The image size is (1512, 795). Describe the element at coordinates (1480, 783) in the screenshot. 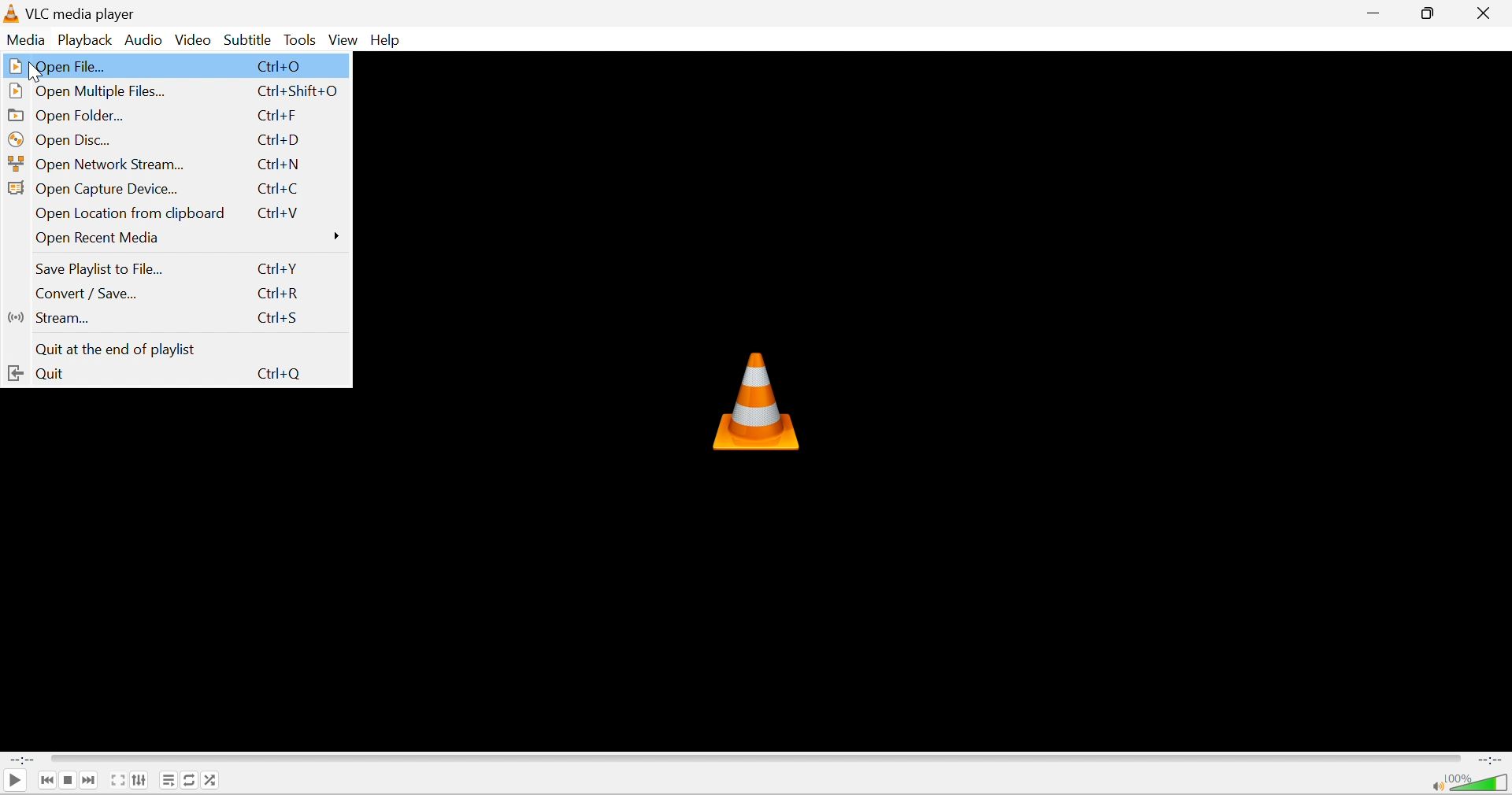

I see `Volume controls` at that location.